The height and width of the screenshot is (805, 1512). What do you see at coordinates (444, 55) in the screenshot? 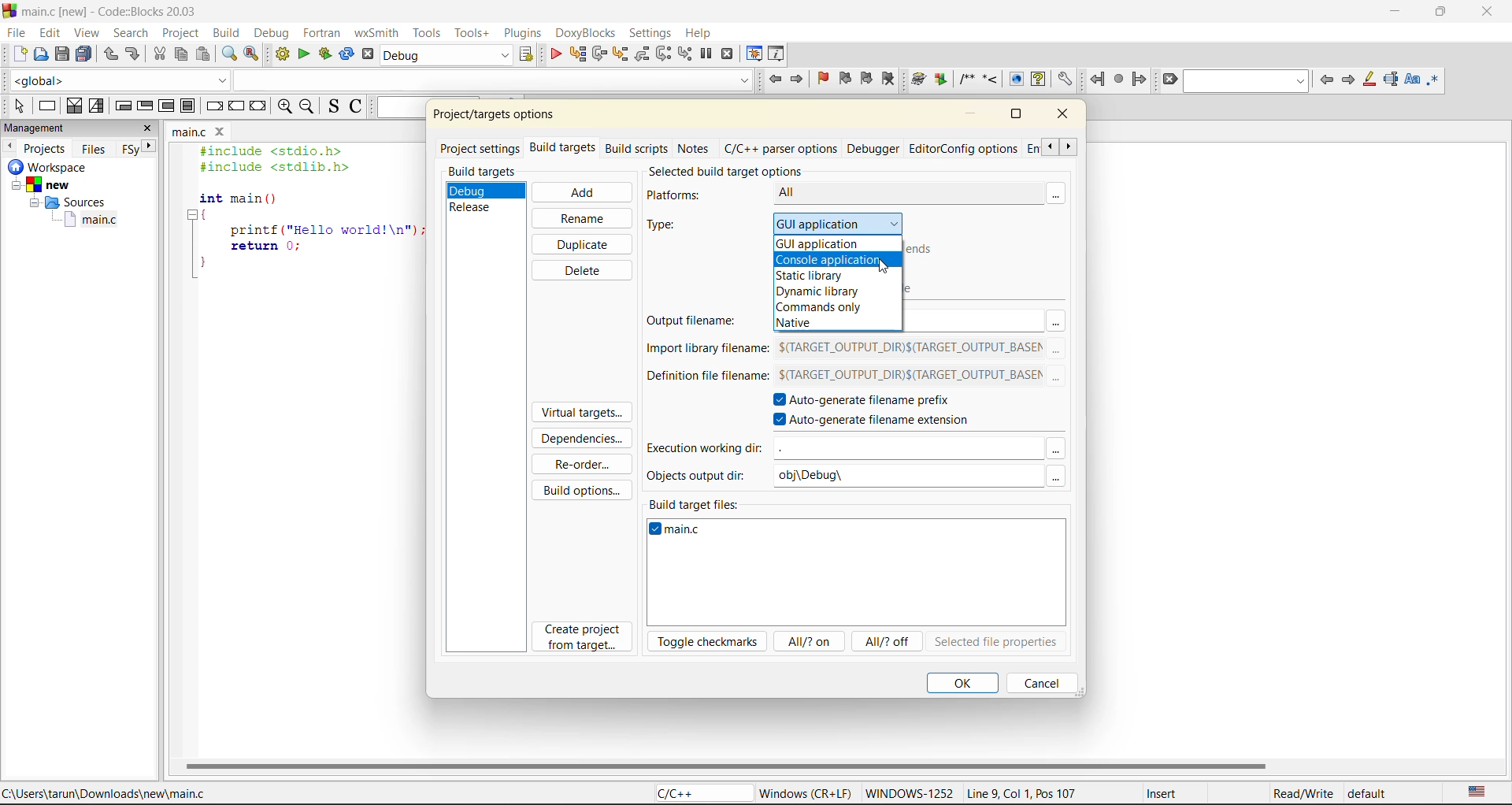
I see `build target` at bounding box center [444, 55].